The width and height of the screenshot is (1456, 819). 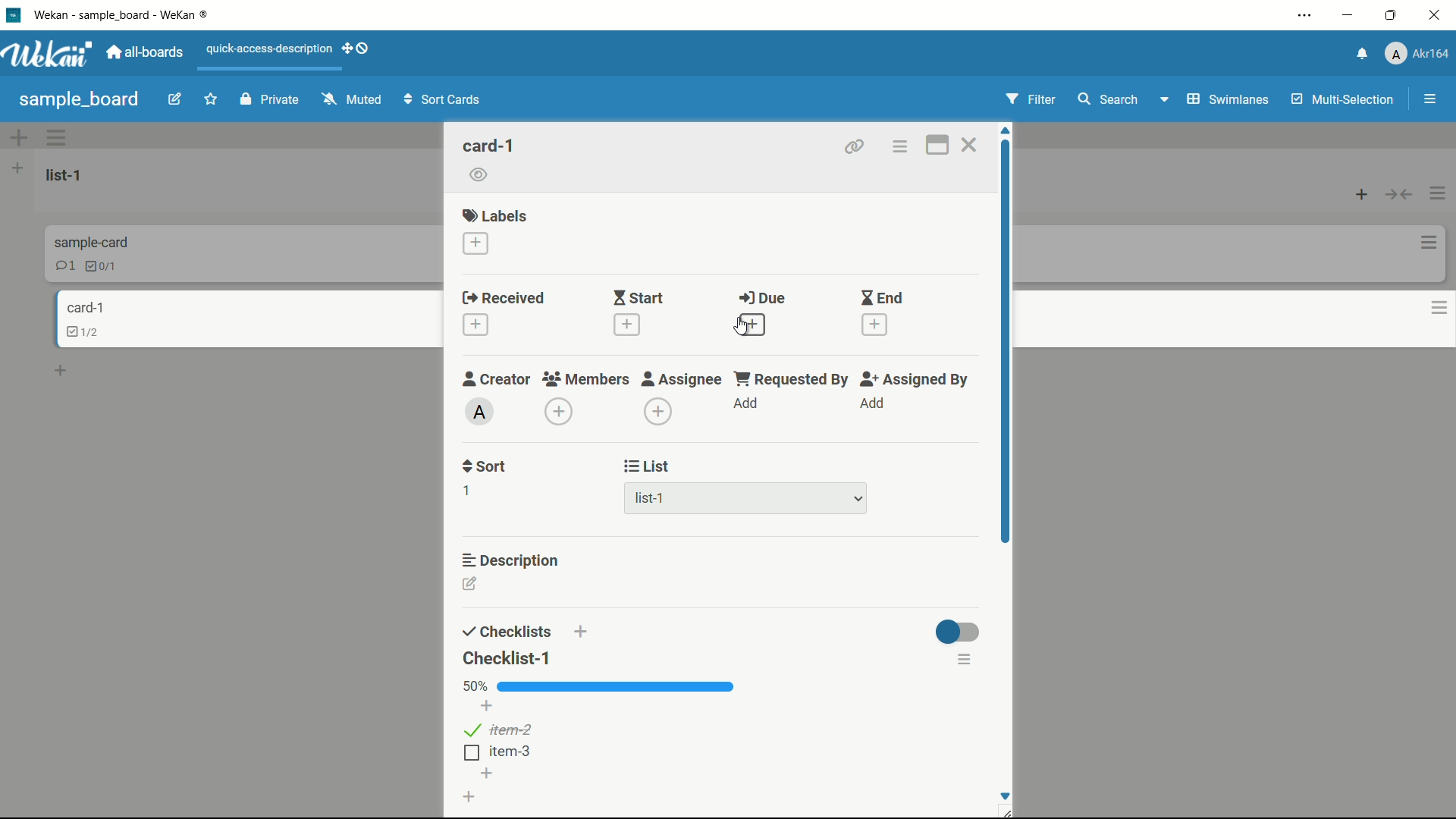 What do you see at coordinates (1109, 99) in the screenshot?
I see `search` at bounding box center [1109, 99].